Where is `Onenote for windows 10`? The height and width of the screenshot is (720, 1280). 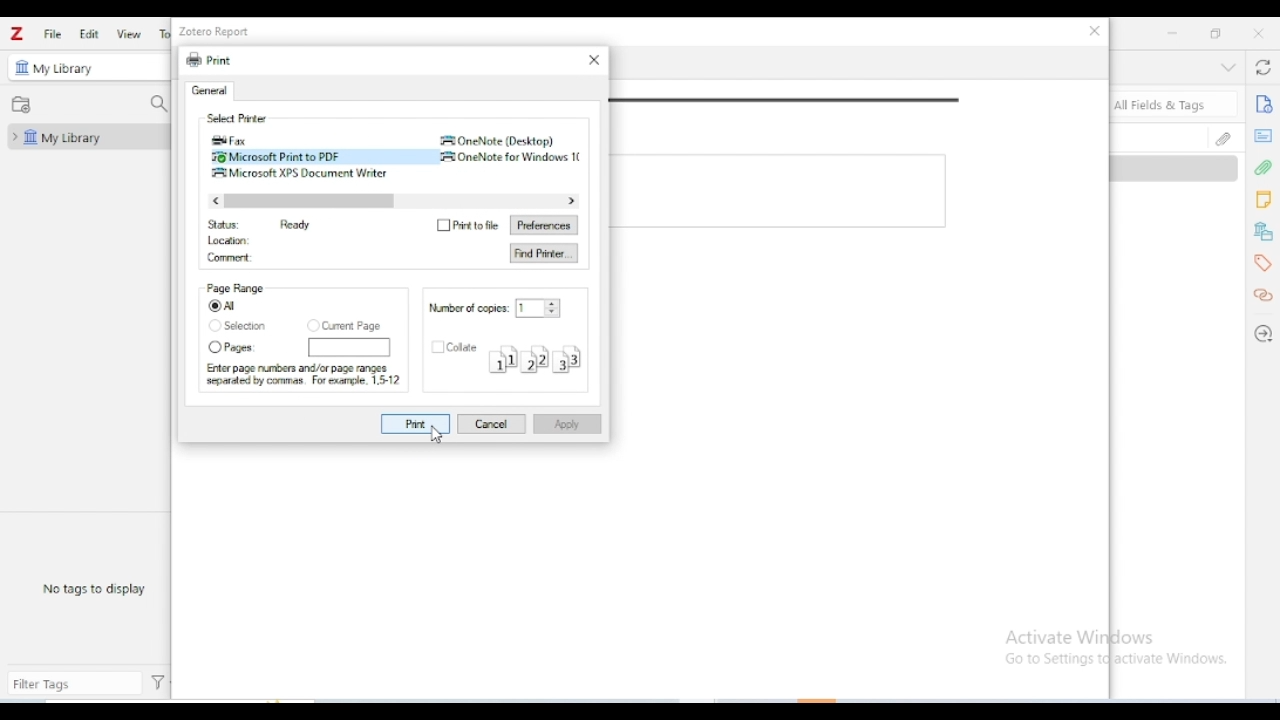 Onenote for windows 10 is located at coordinates (511, 157).